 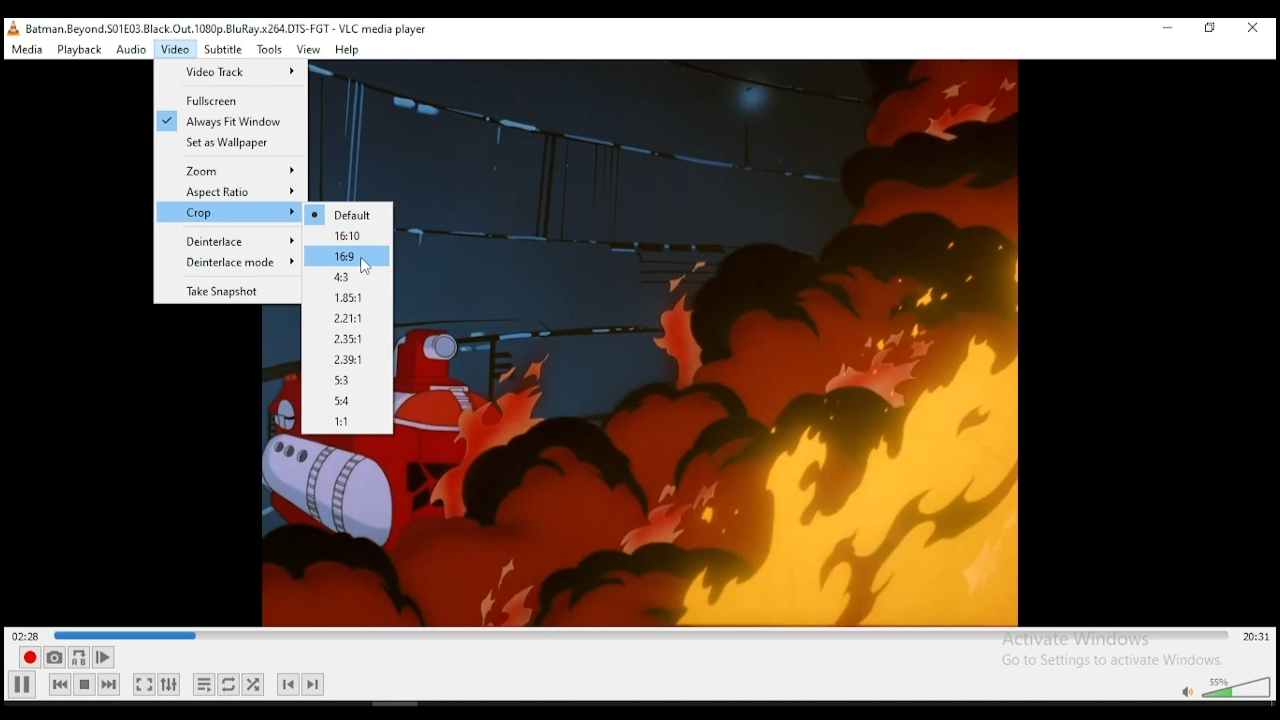 I want to click on help, so click(x=347, y=50).